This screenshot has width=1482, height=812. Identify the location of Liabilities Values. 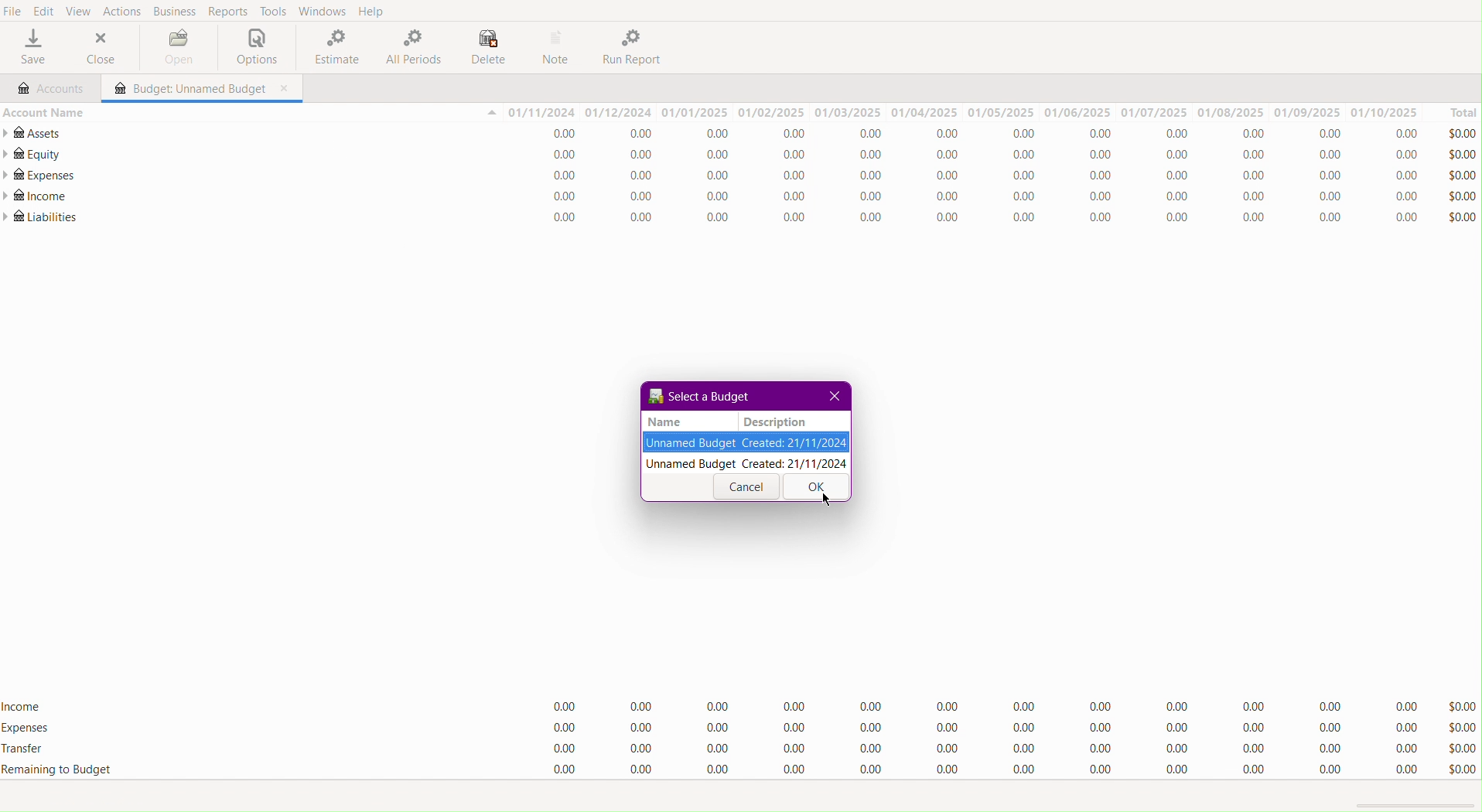
(982, 218).